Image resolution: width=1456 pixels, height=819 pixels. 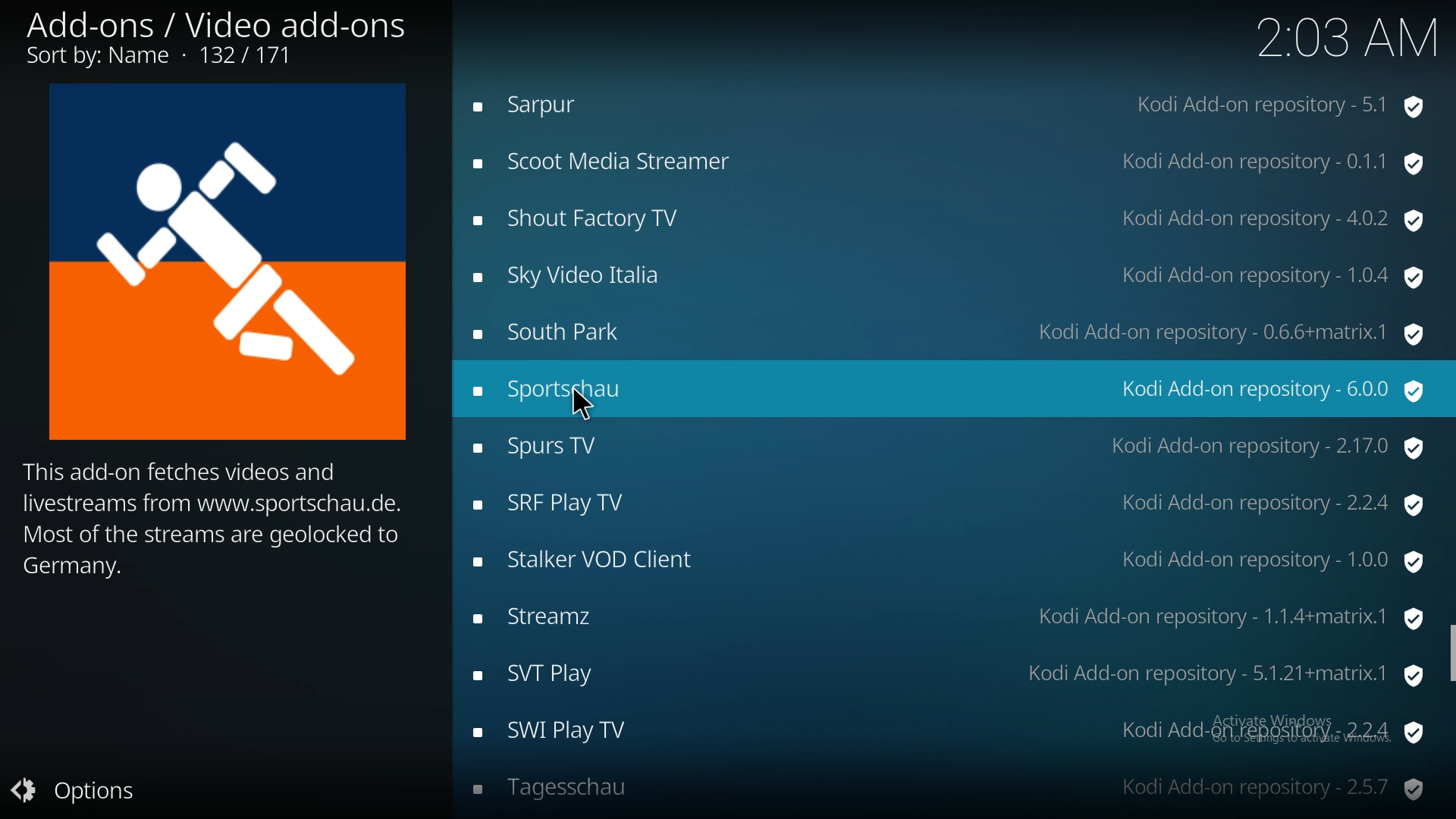 What do you see at coordinates (955, 732) in the screenshot?
I see `swi play tv` at bounding box center [955, 732].